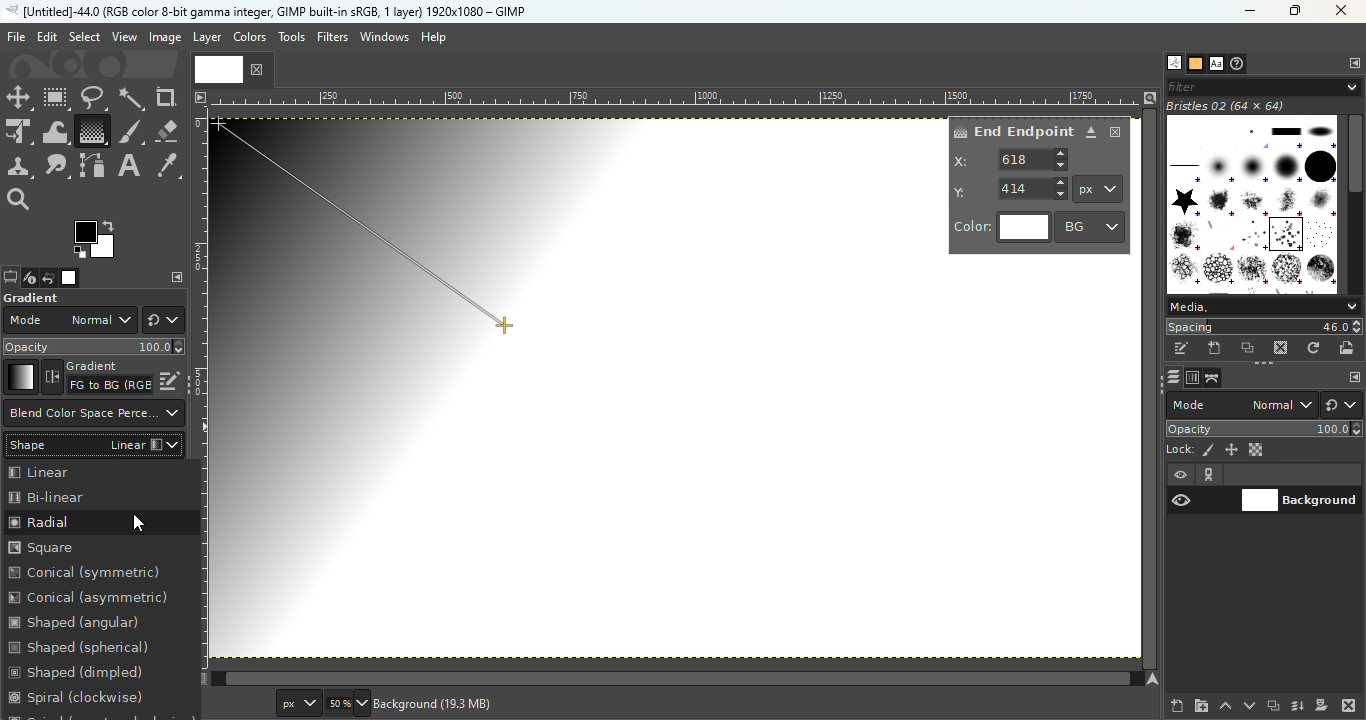  I want to click on View, so click(125, 37).